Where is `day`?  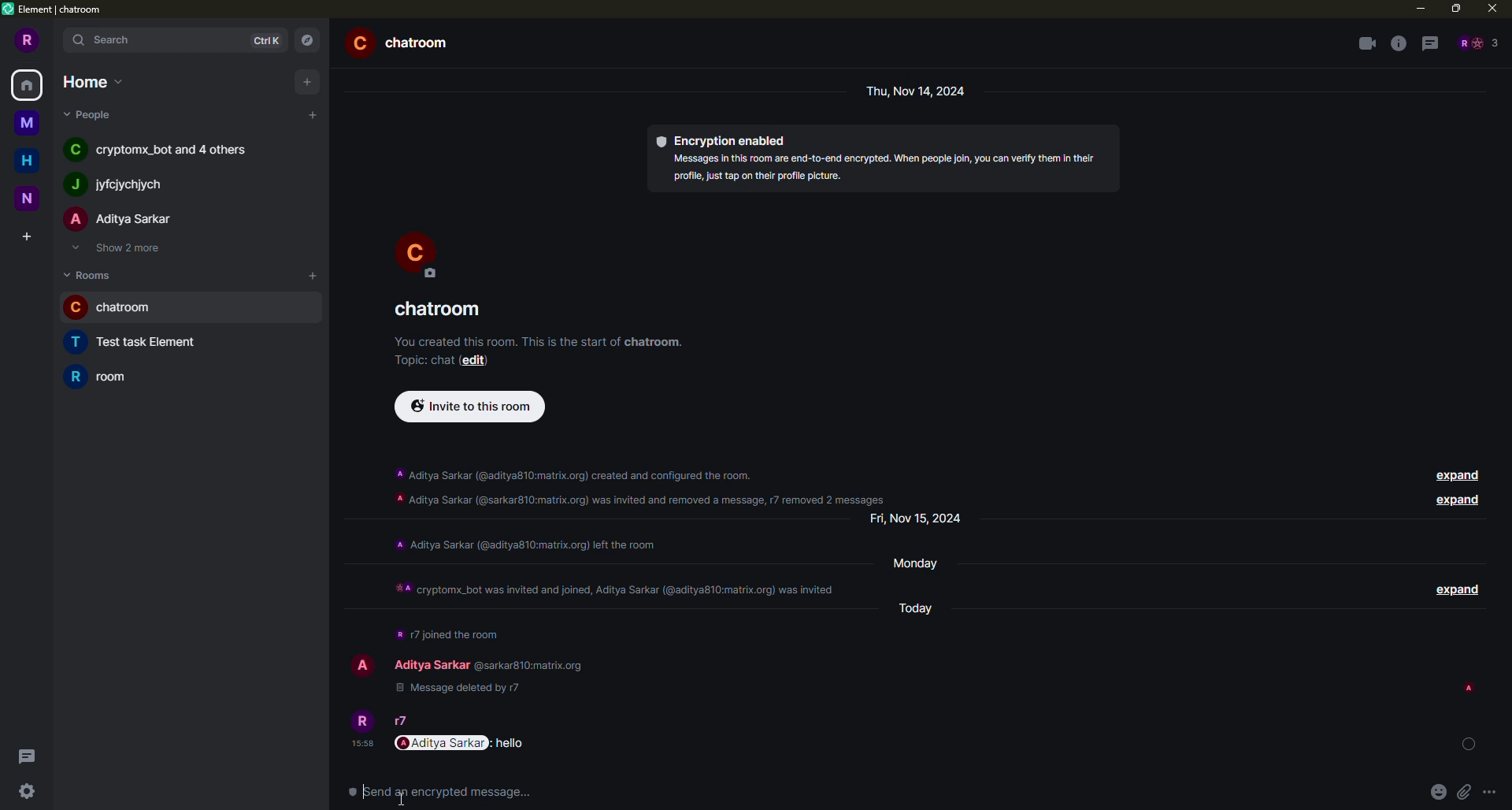
day is located at coordinates (919, 521).